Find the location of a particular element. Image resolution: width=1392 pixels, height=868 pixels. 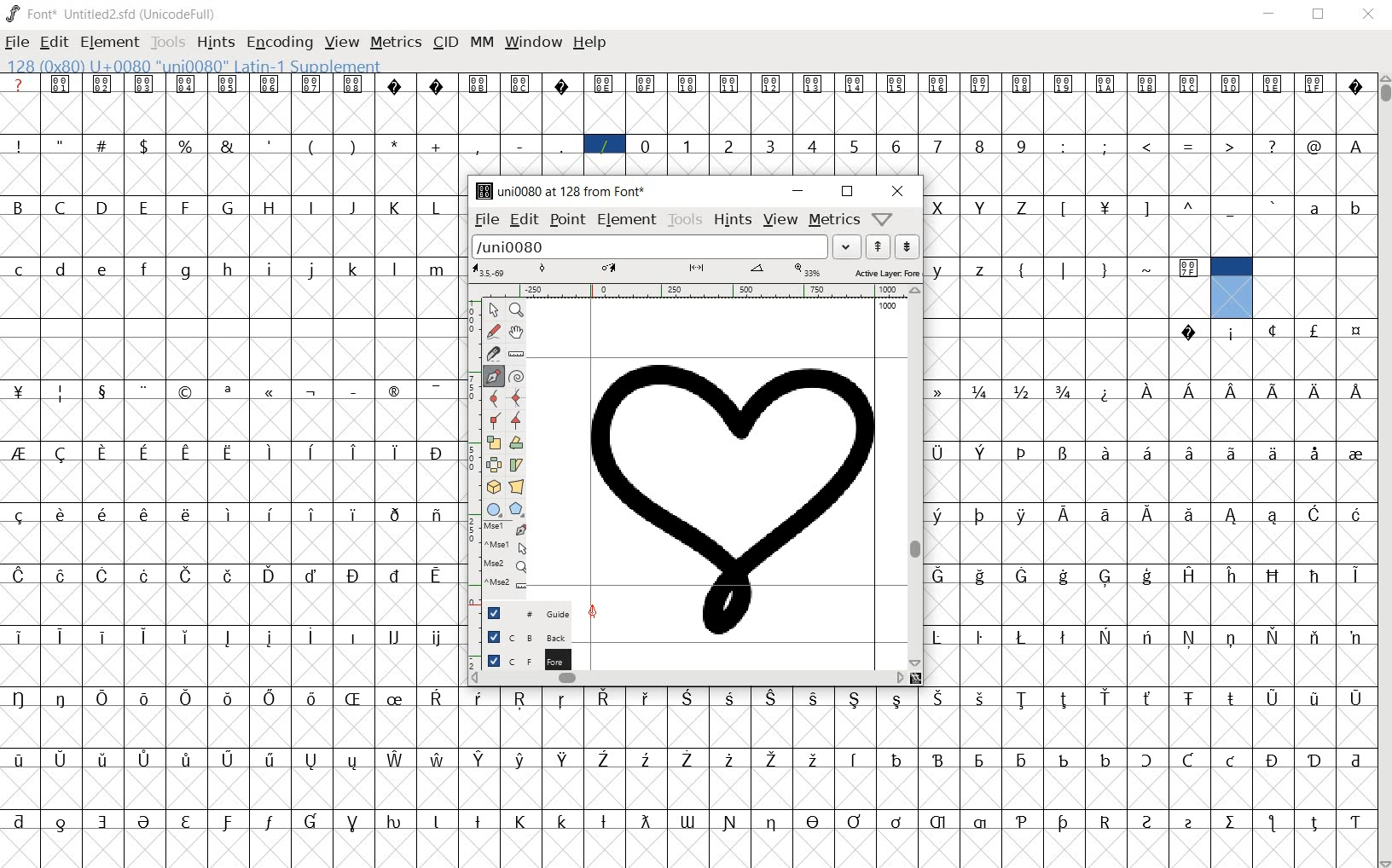

glyph is located at coordinates (1105, 822).